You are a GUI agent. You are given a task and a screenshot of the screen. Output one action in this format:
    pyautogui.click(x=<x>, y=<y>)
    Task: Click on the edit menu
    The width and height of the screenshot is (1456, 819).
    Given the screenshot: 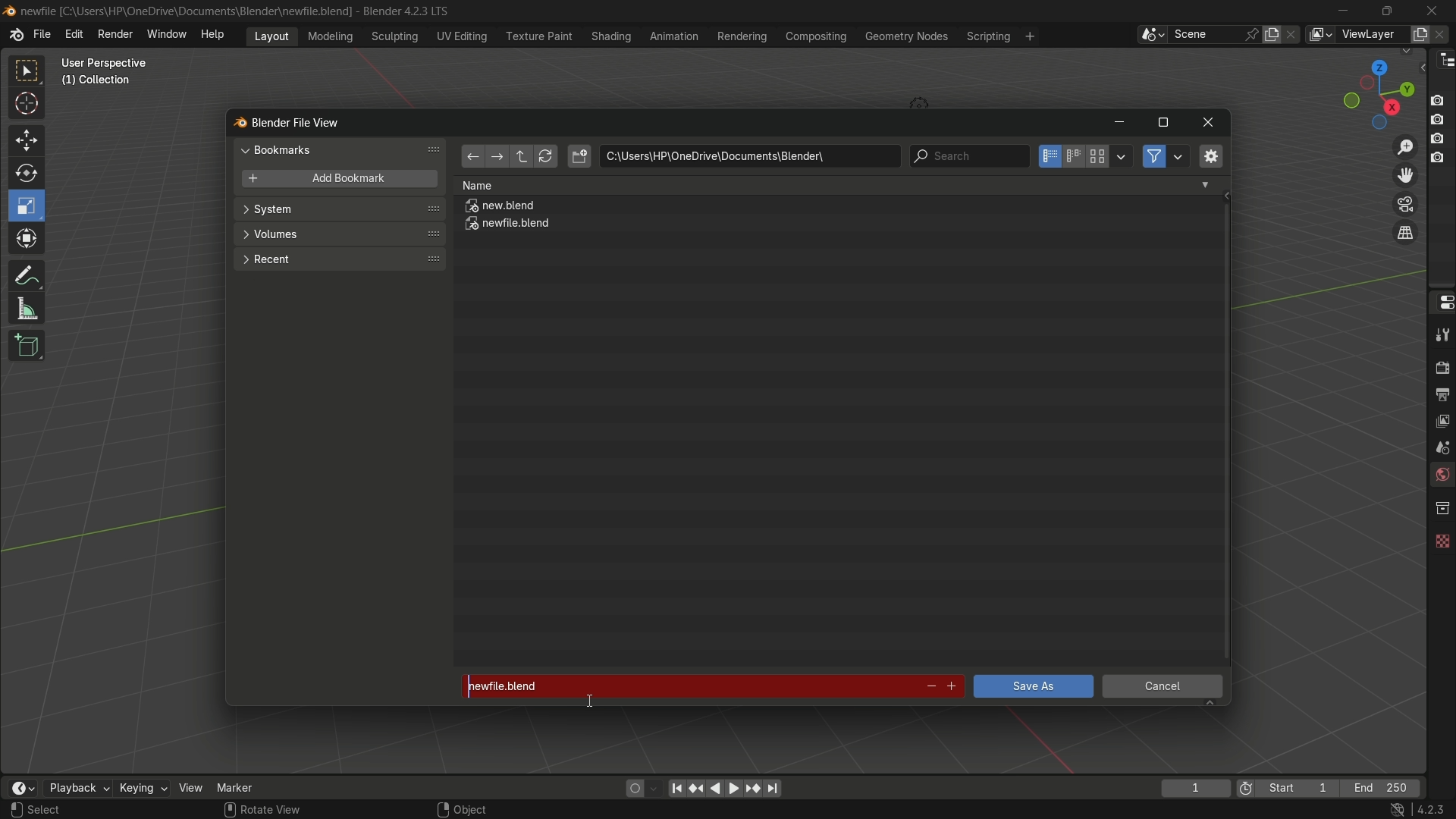 What is the action you would take?
    pyautogui.click(x=74, y=34)
    